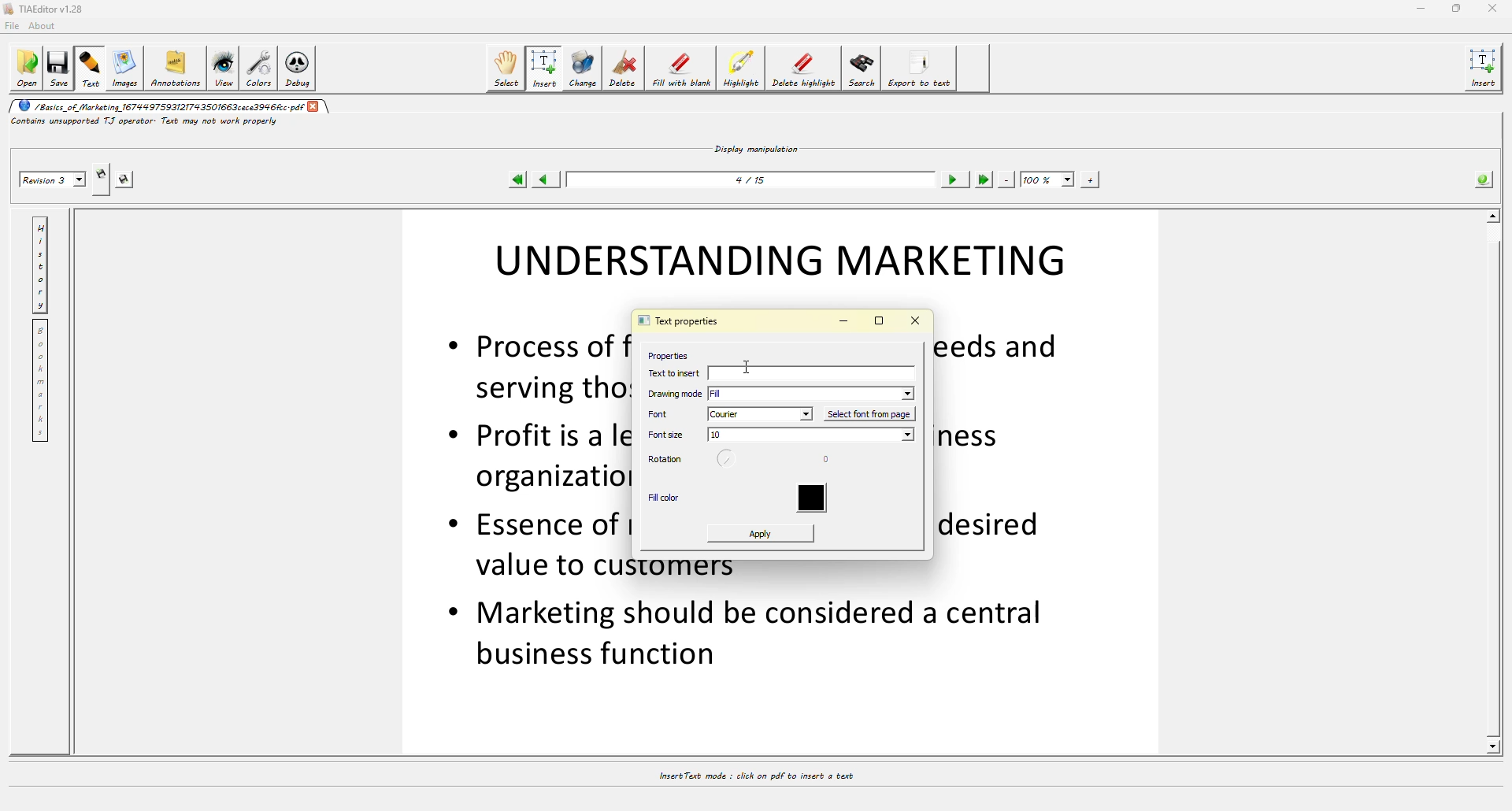  Describe the element at coordinates (1089, 179) in the screenshot. I see `zoom in` at that location.